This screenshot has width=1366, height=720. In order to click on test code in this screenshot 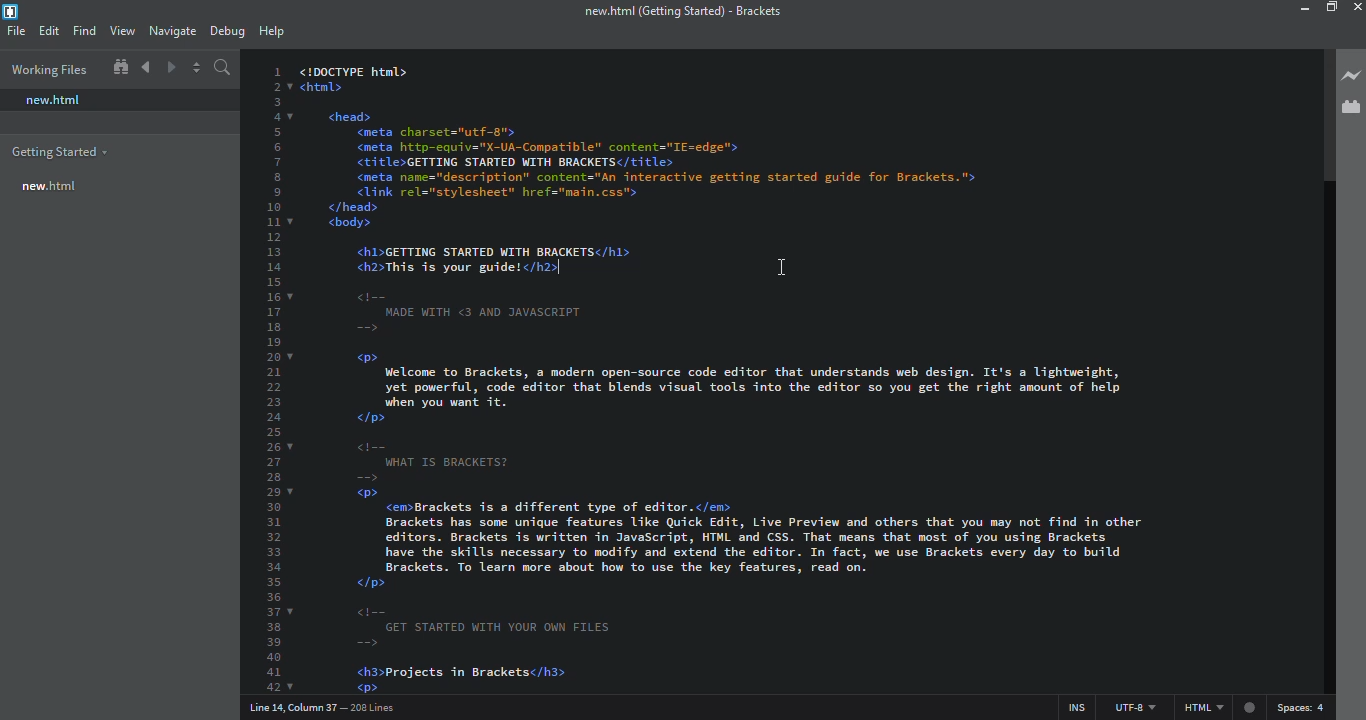, I will do `click(498, 251)`.